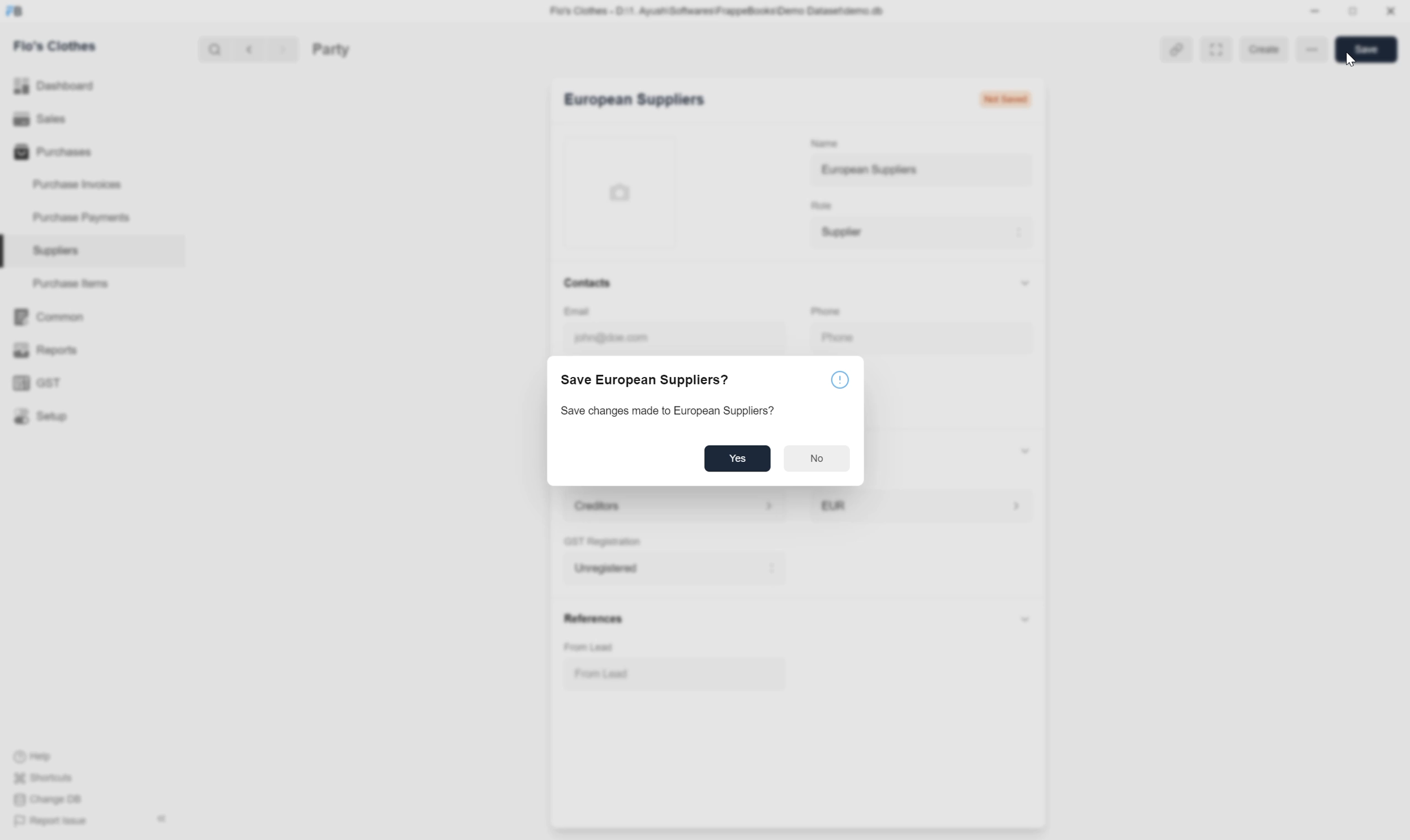  Describe the element at coordinates (672, 409) in the screenshot. I see `Save changes made to European Suppliers?` at that location.